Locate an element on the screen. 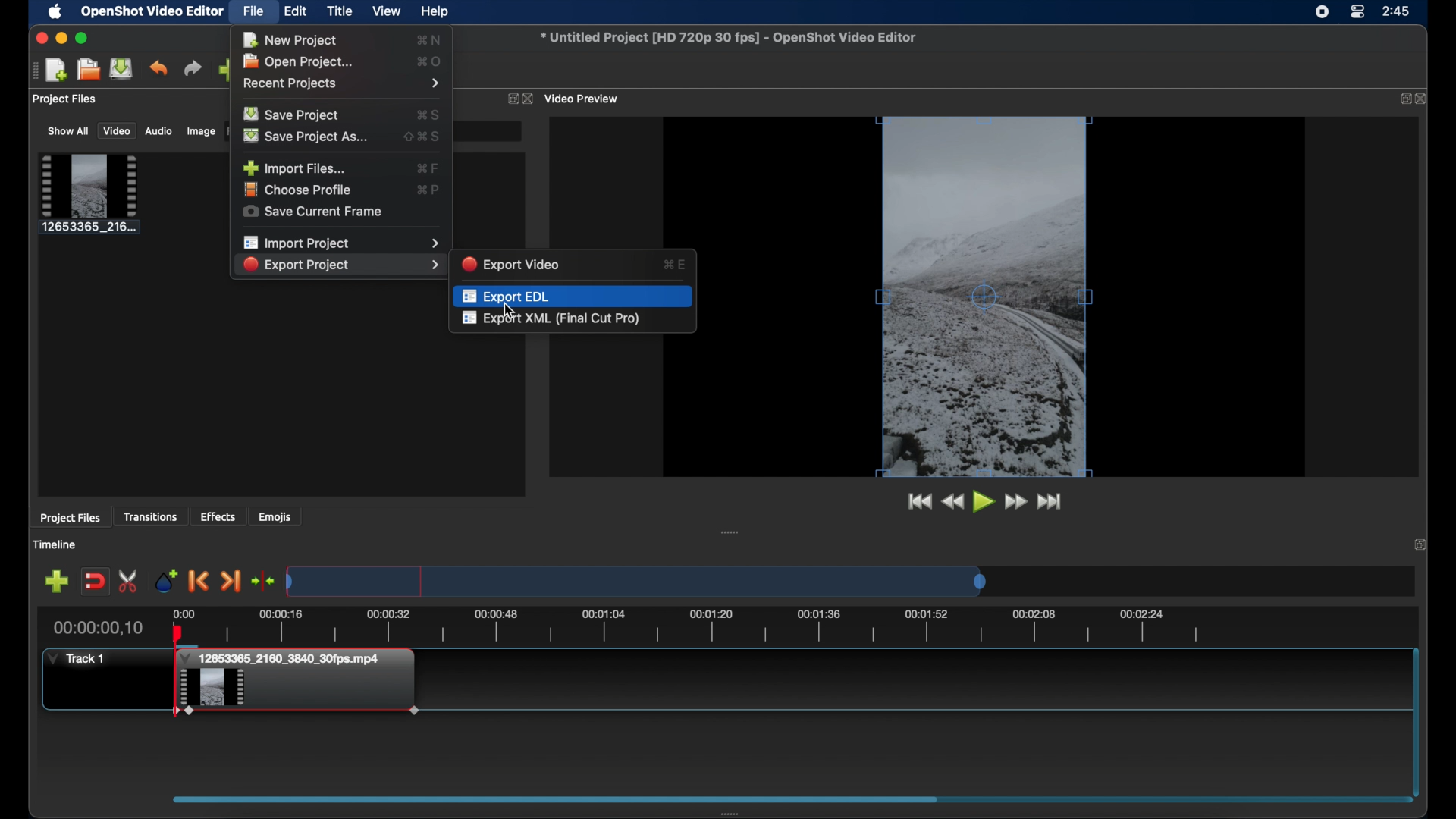 This screenshot has width=1456, height=819. redo is located at coordinates (193, 67).